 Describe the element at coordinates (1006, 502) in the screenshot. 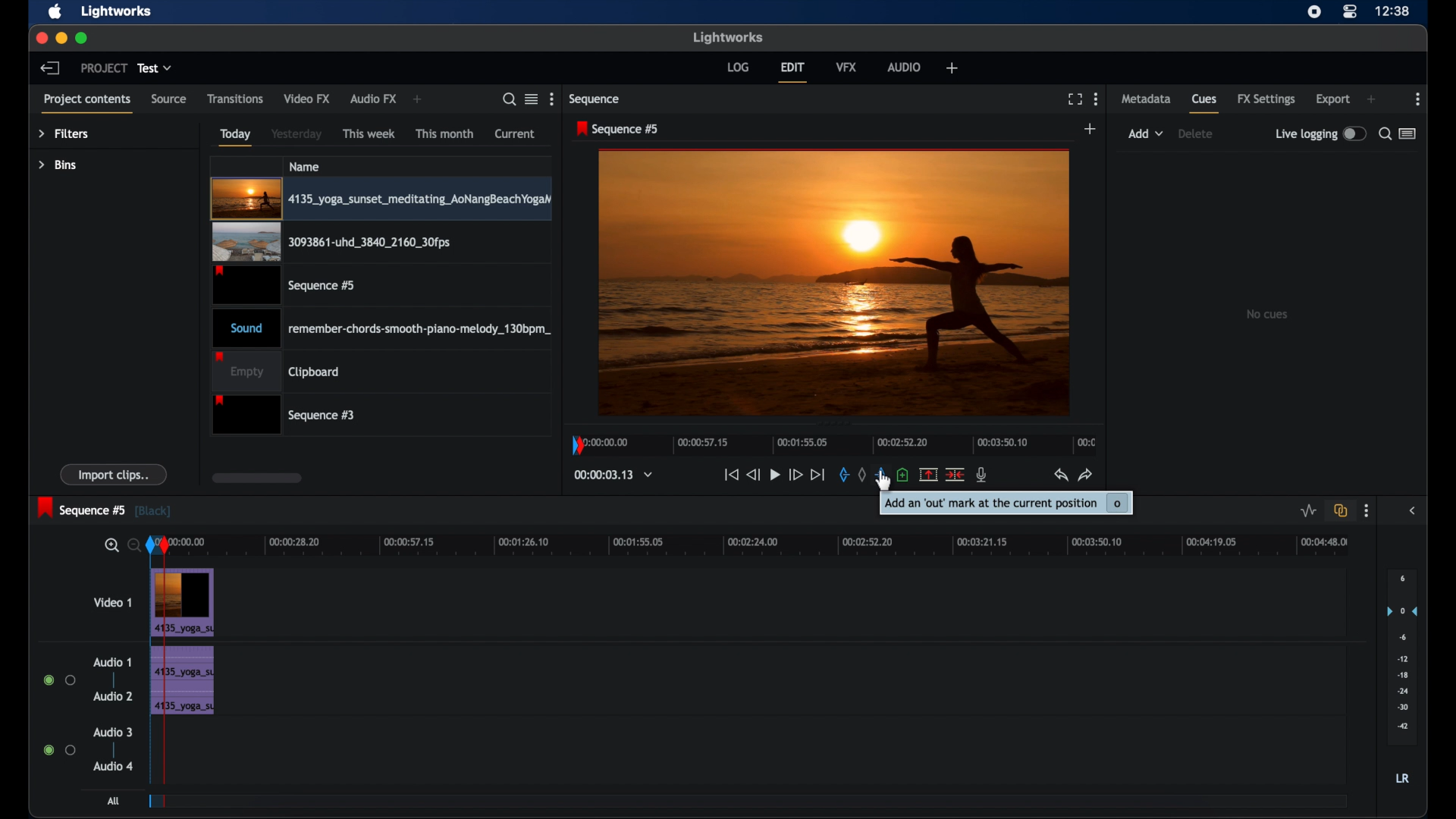

I see `Add an out mark at the current position ` at that location.